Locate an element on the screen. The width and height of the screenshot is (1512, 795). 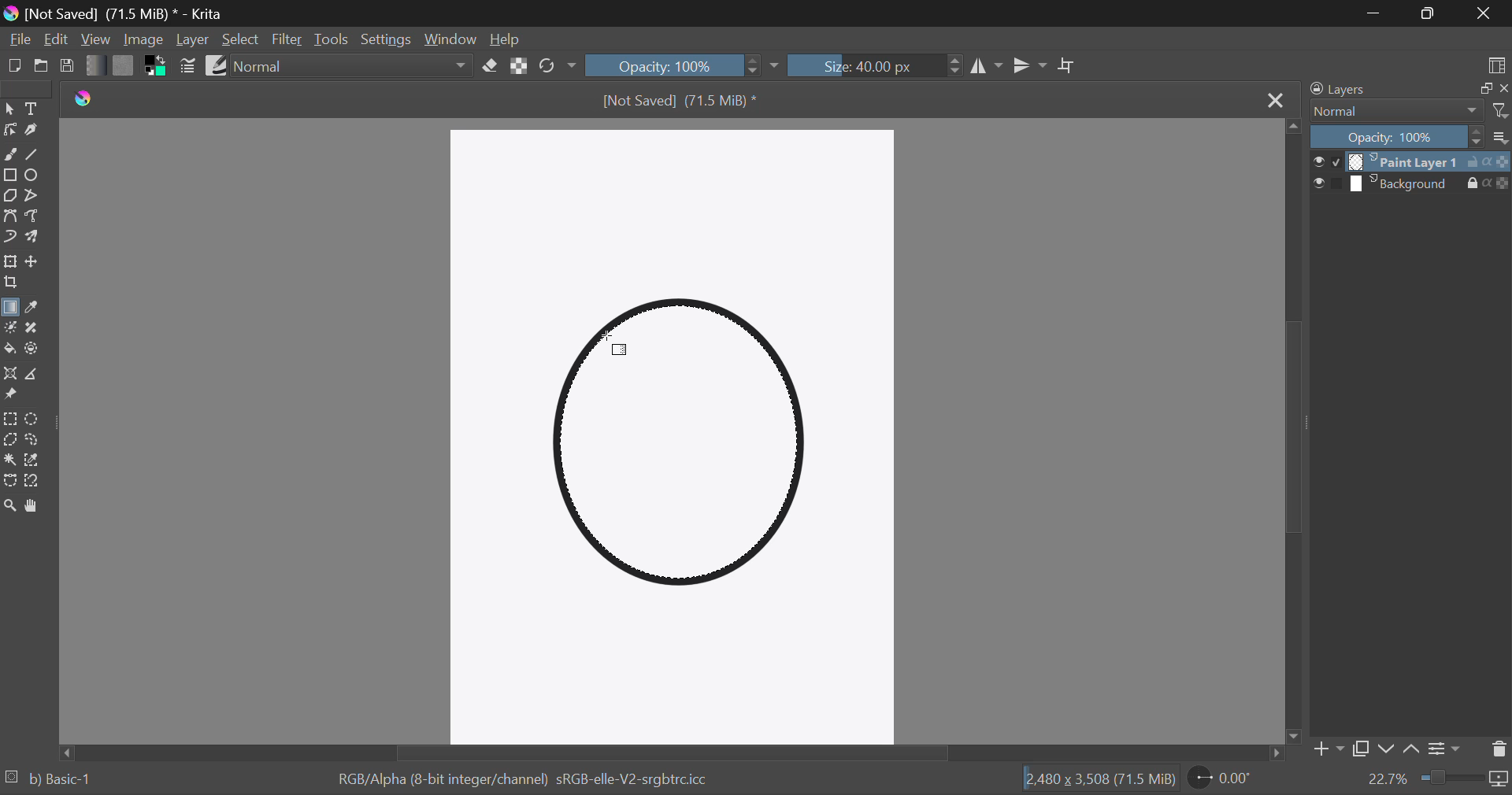
Pan is located at coordinates (35, 507).